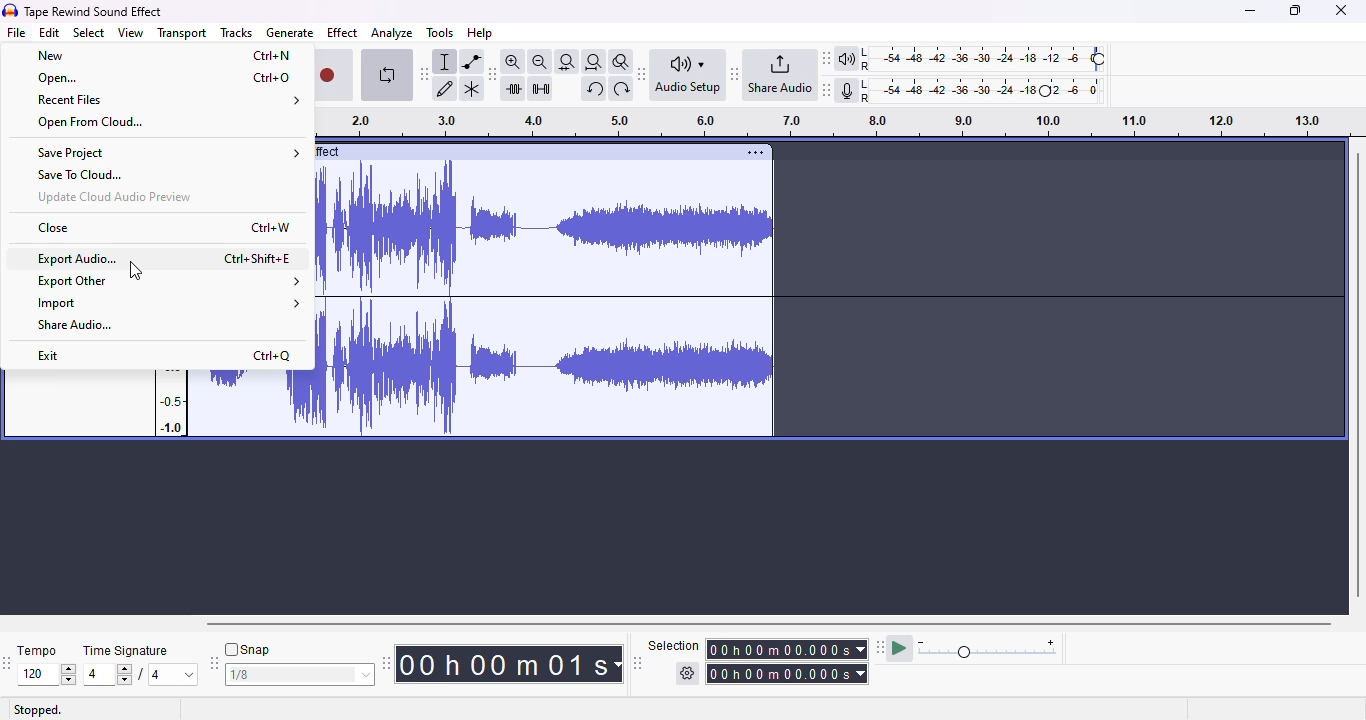 This screenshot has height=720, width=1366. What do you see at coordinates (78, 324) in the screenshot?
I see `share audio` at bounding box center [78, 324].